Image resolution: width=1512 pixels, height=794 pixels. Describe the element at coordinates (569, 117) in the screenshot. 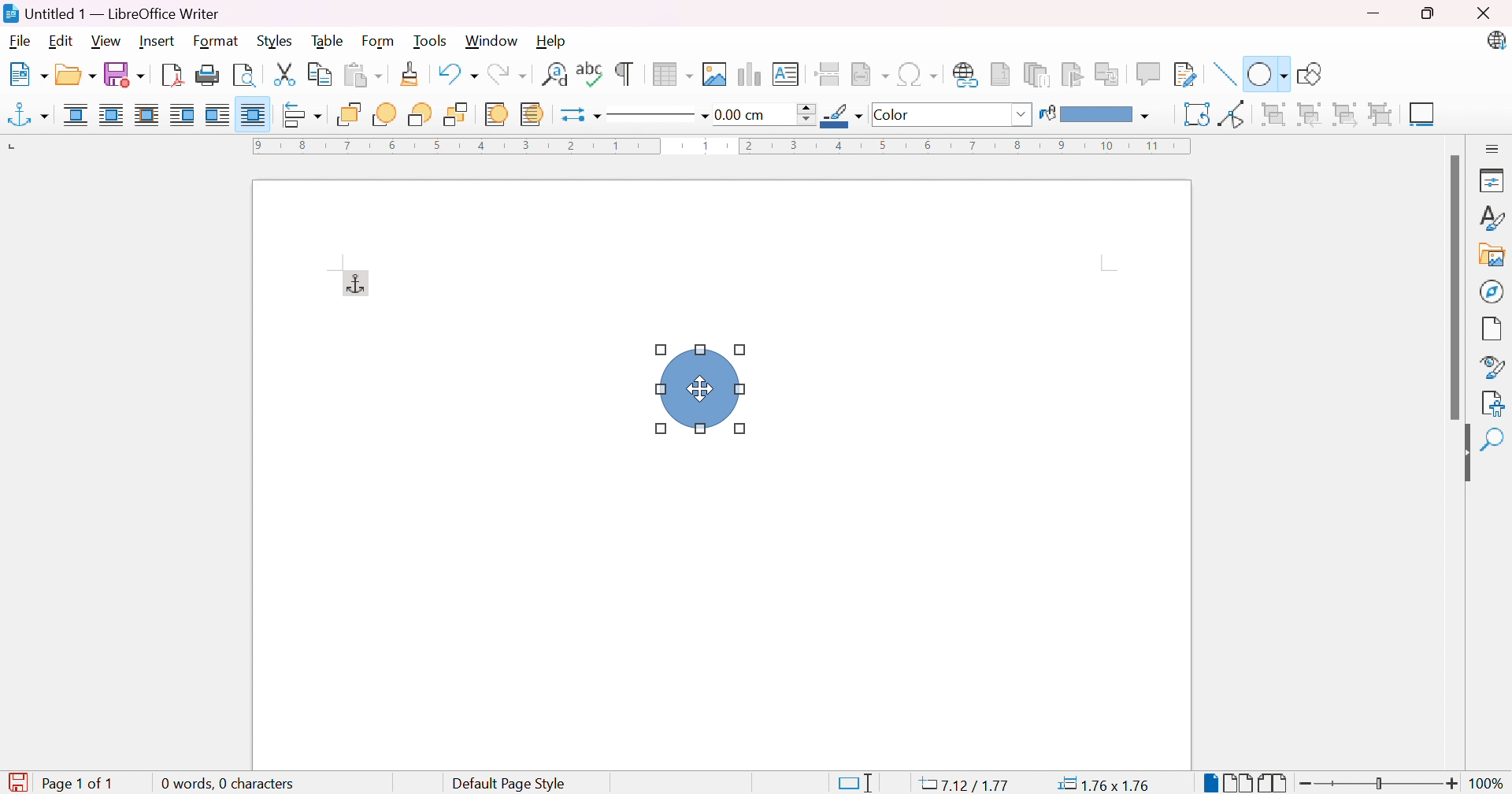

I see `Select start and end arrowheads for lines` at that location.